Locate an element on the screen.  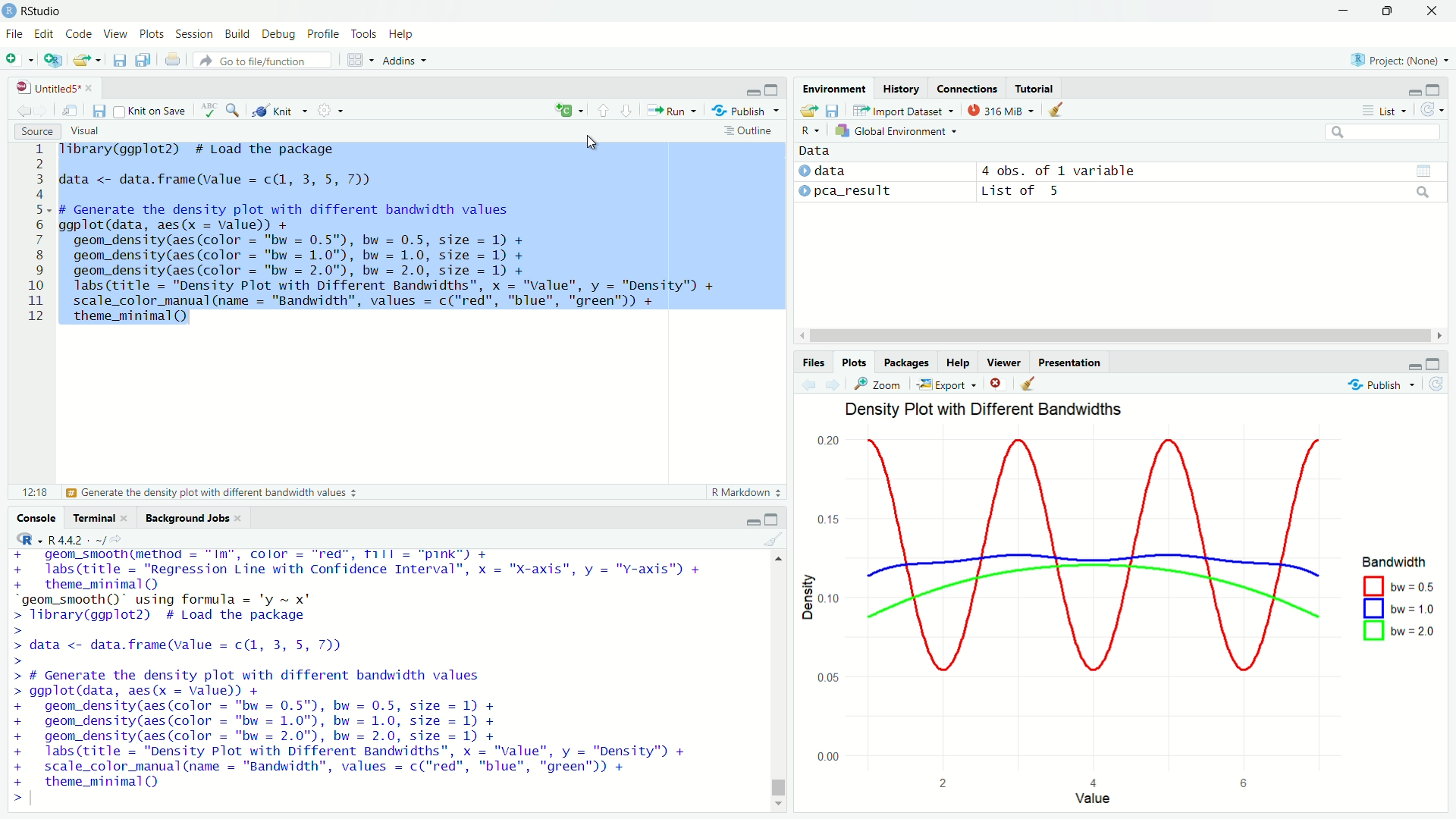
Previous plot is located at coordinates (808, 384).